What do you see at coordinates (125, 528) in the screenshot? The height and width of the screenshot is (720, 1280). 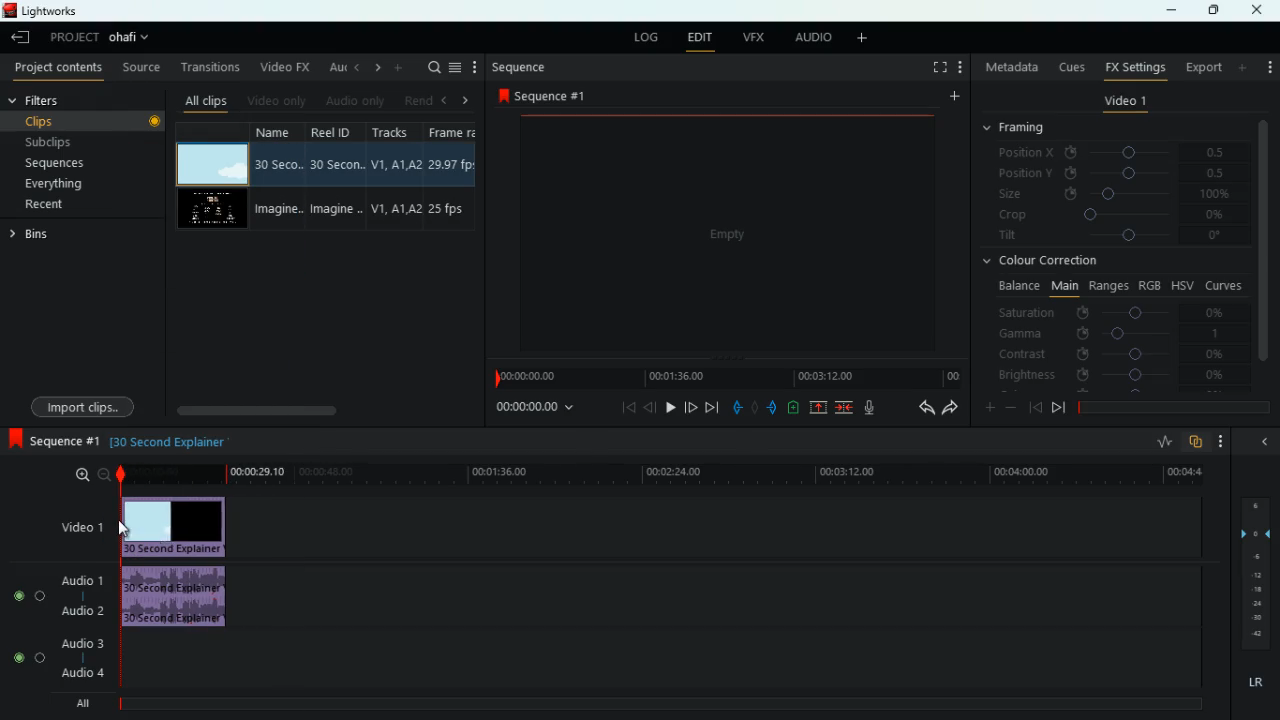 I see `cursor` at bounding box center [125, 528].